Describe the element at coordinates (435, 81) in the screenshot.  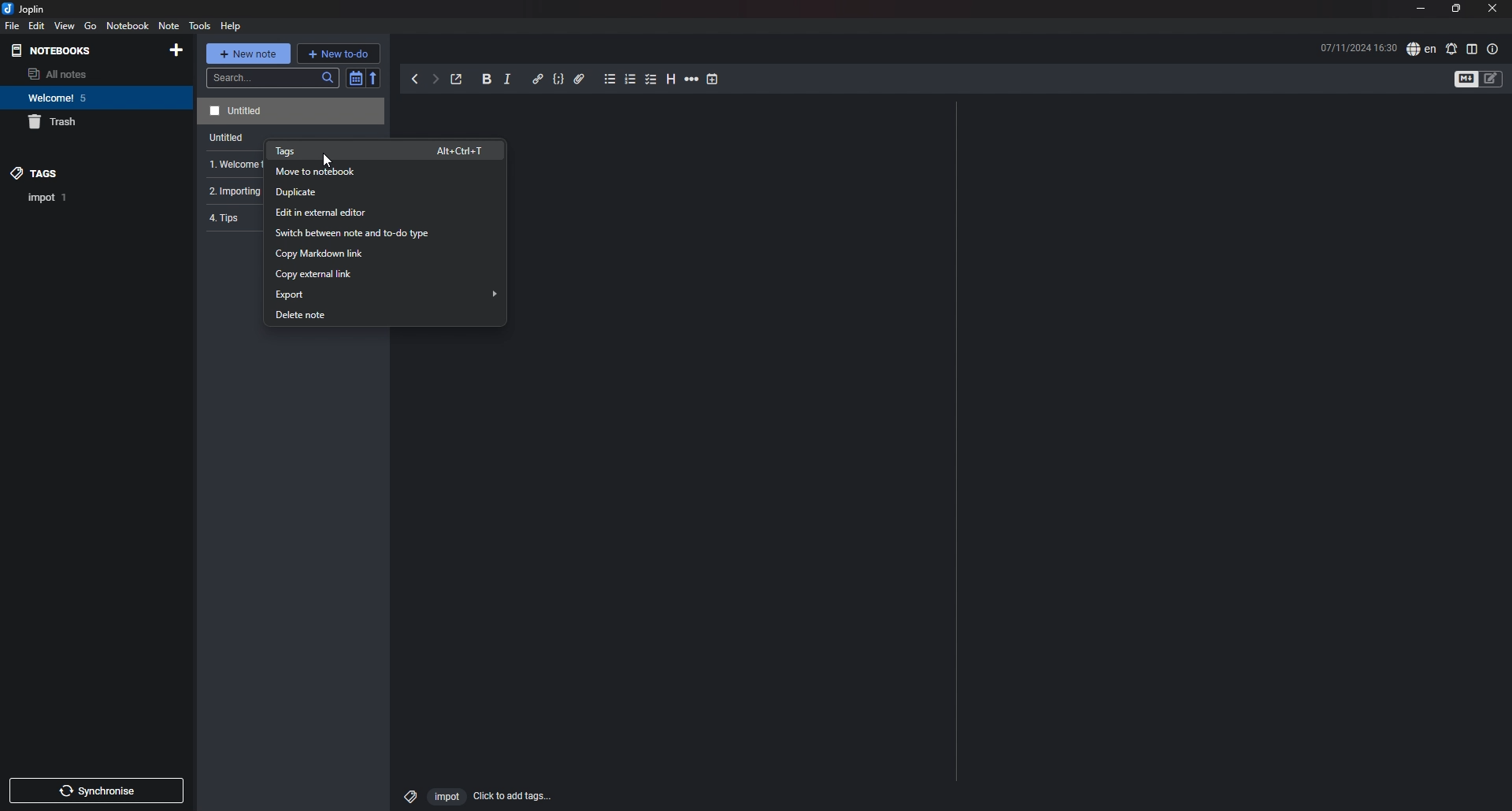
I see `forward` at that location.